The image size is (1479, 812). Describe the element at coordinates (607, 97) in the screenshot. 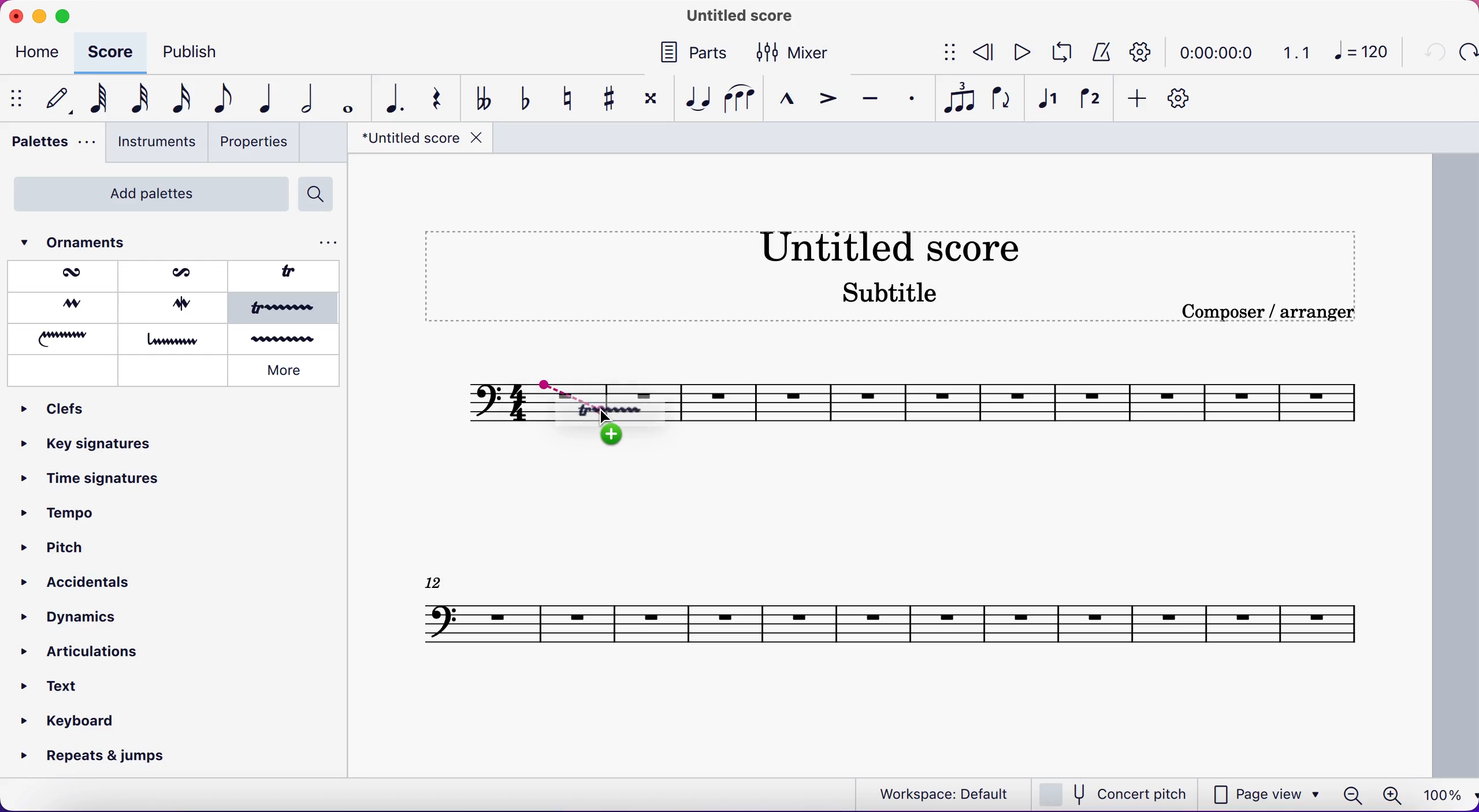

I see `toggle sharp` at that location.